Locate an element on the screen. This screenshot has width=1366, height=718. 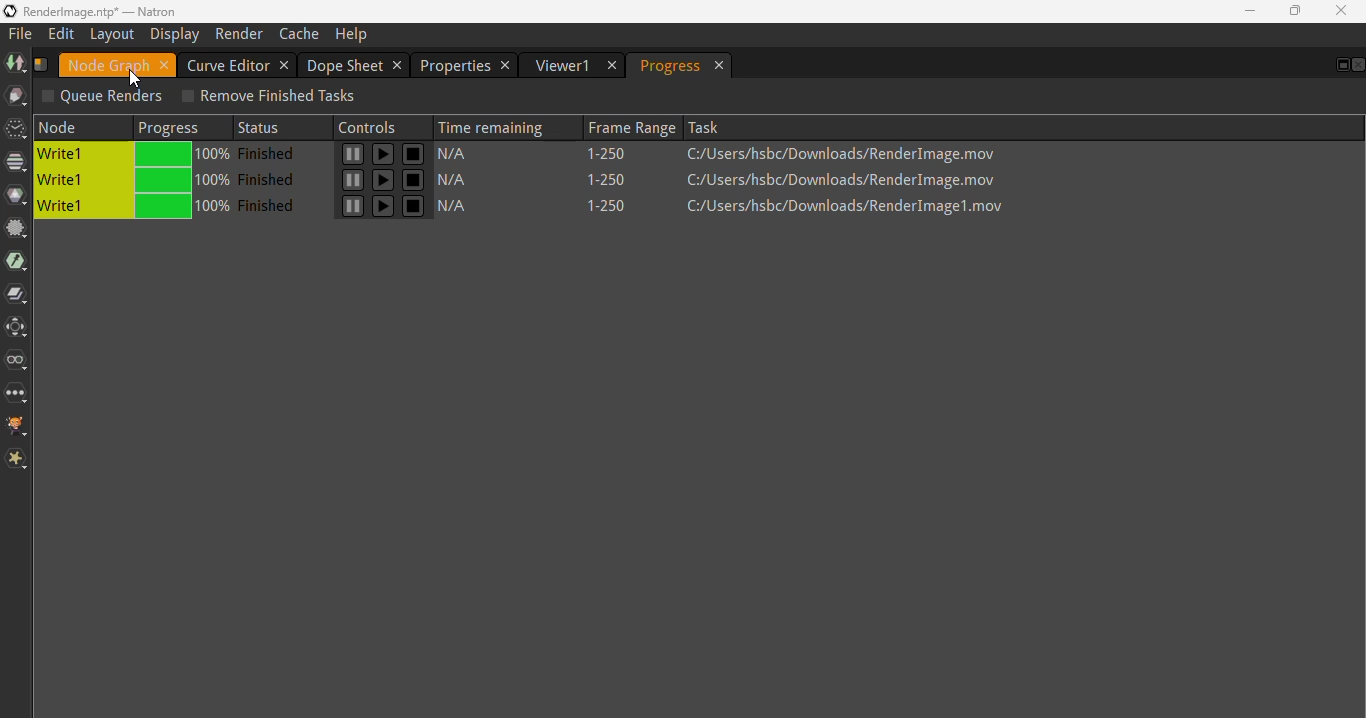
finished is located at coordinates (271, 206).